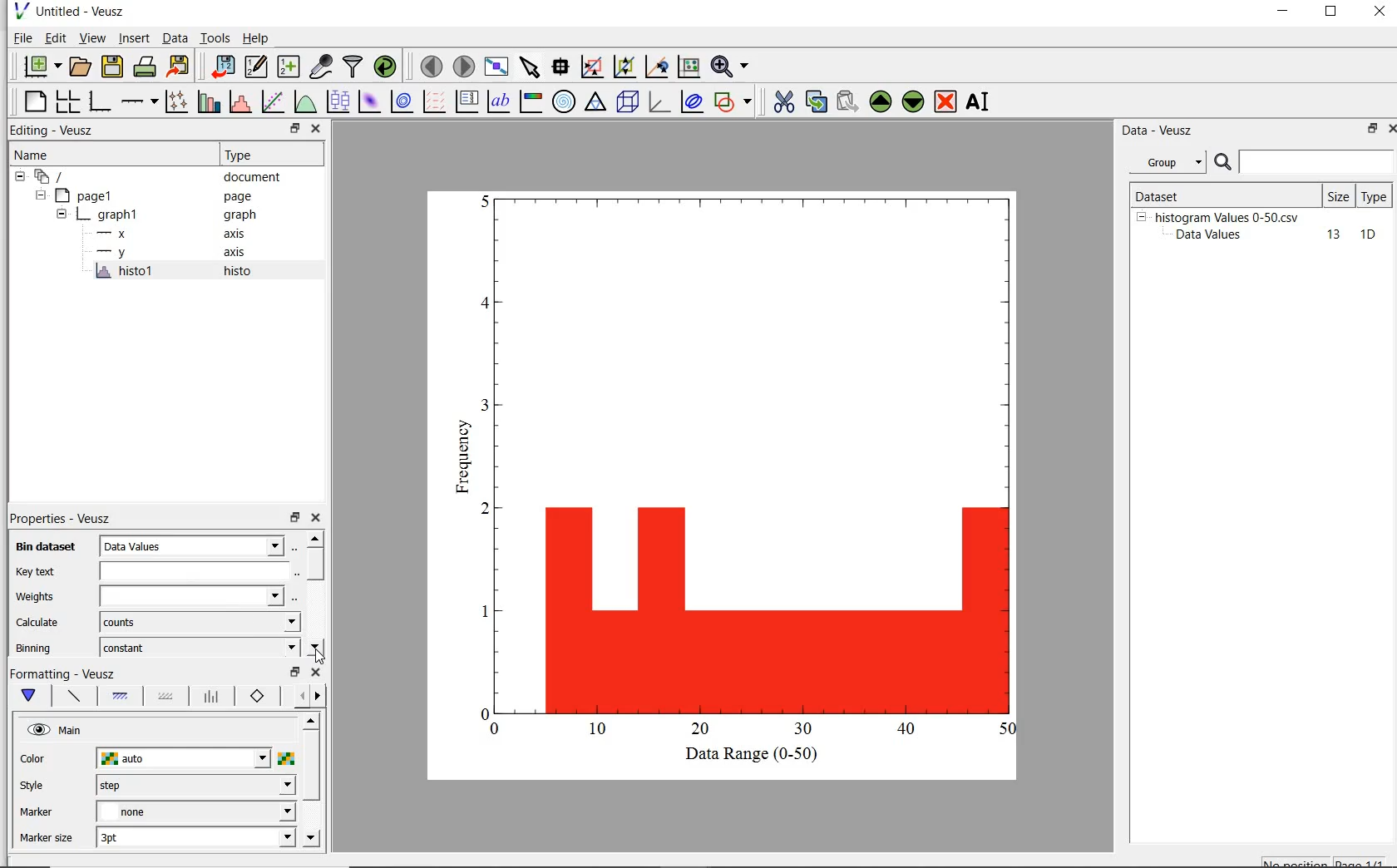 The height and width of the screenshot is (868, 1397). What do you see at coordinates (388, 67) in the screenshot?
I see `reload linked datasets` at bounding box center [388, 67].